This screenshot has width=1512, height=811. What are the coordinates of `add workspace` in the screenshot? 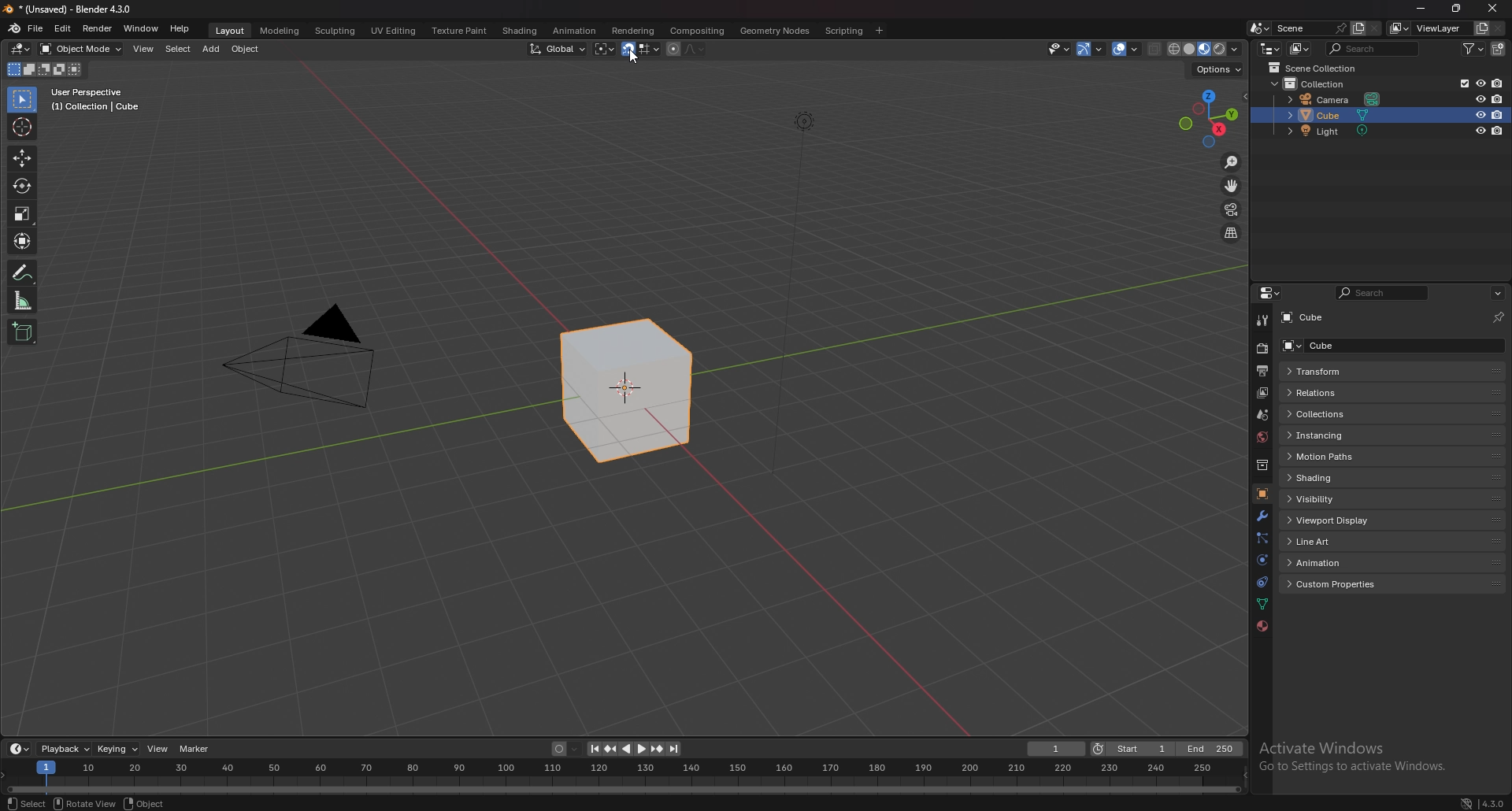 It's located at (878, 31).